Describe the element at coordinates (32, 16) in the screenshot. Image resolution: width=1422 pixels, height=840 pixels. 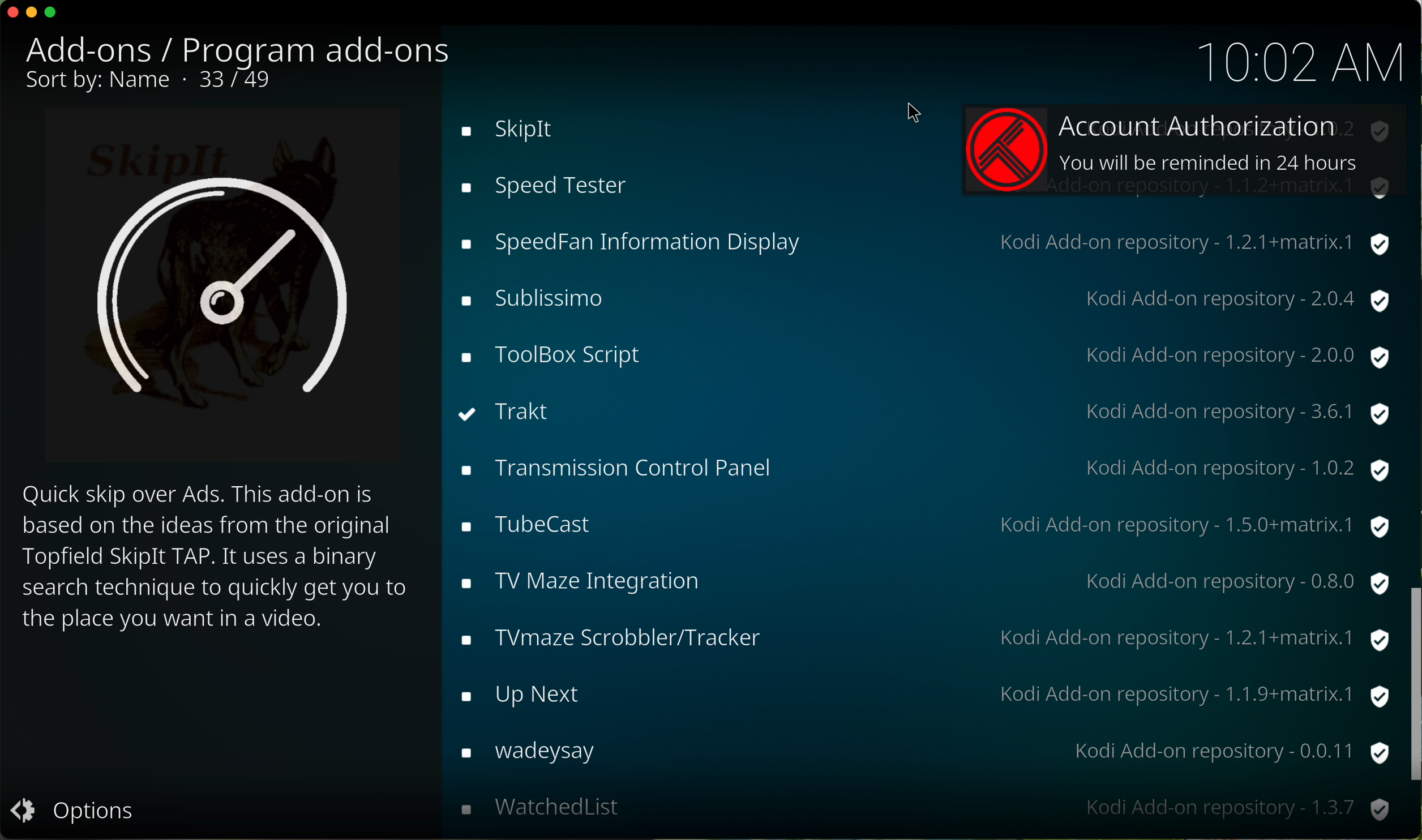
I see `minimize` at that location.